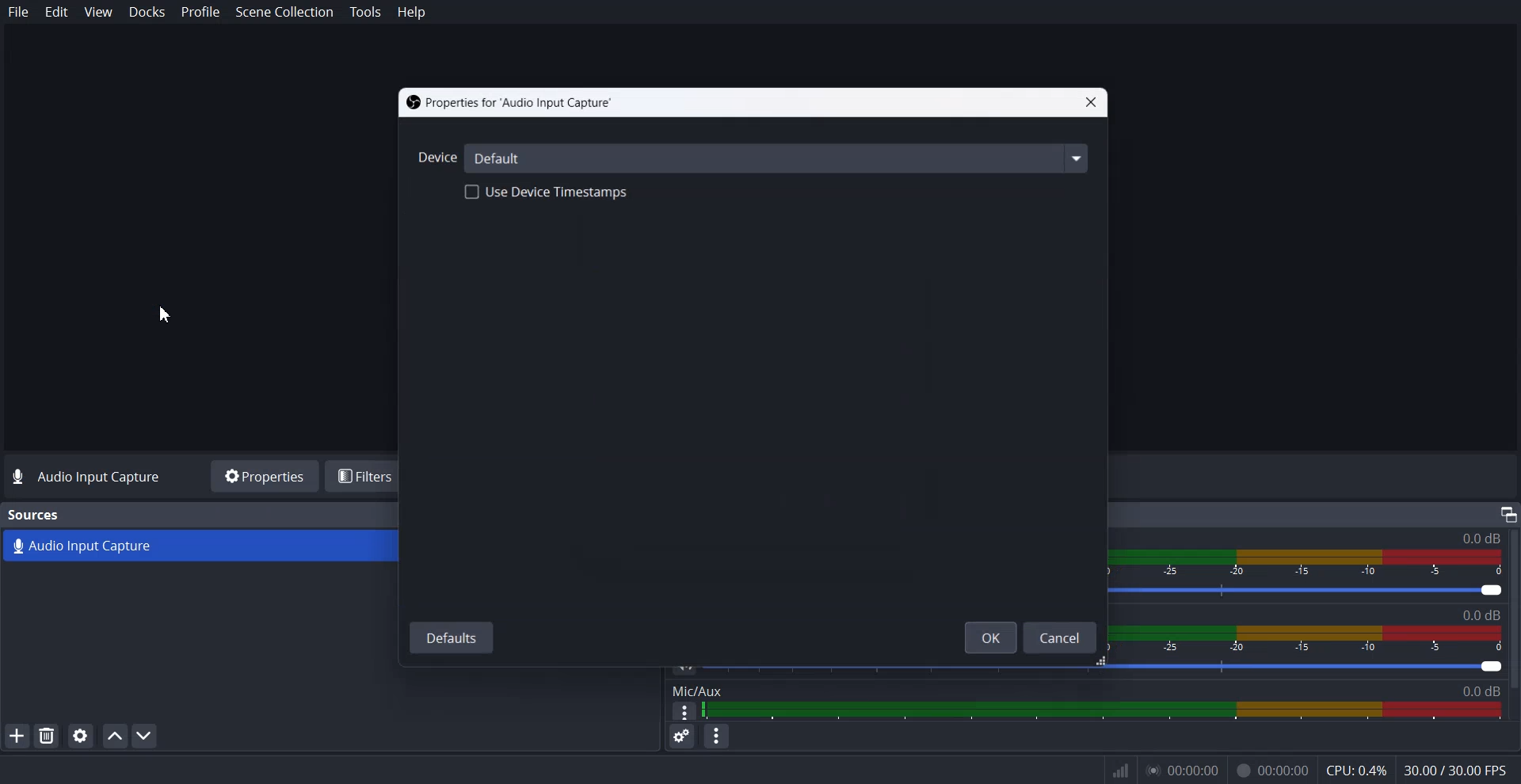 This screenshot has height=784, width=1521. What do you see at coordinates (684, 713) in the screenshot?
I see `More ` at bounding box center [684, 713].